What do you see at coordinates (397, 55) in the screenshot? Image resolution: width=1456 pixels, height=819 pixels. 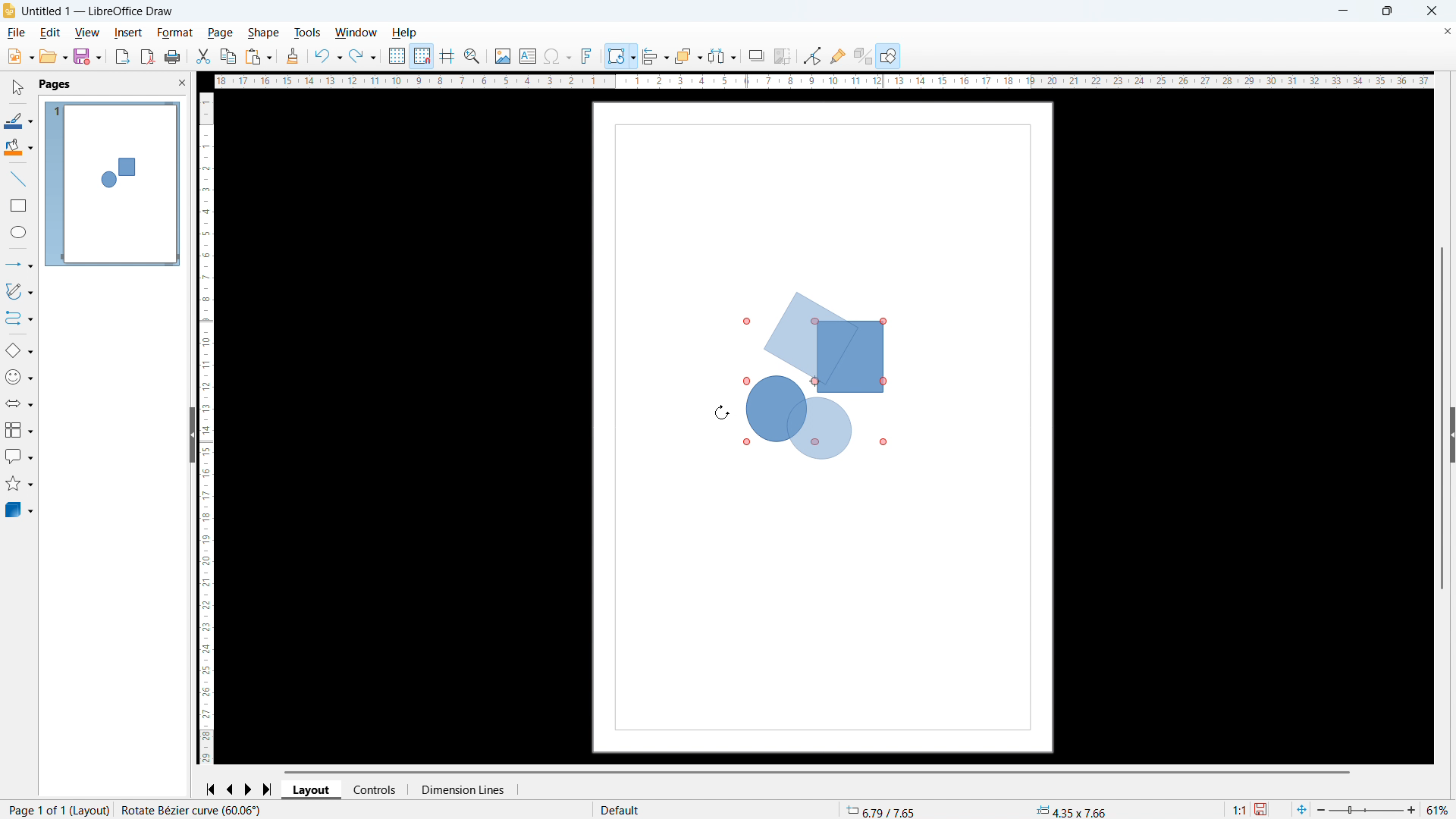 I see `Show grid` at bounding box center [397, 55].